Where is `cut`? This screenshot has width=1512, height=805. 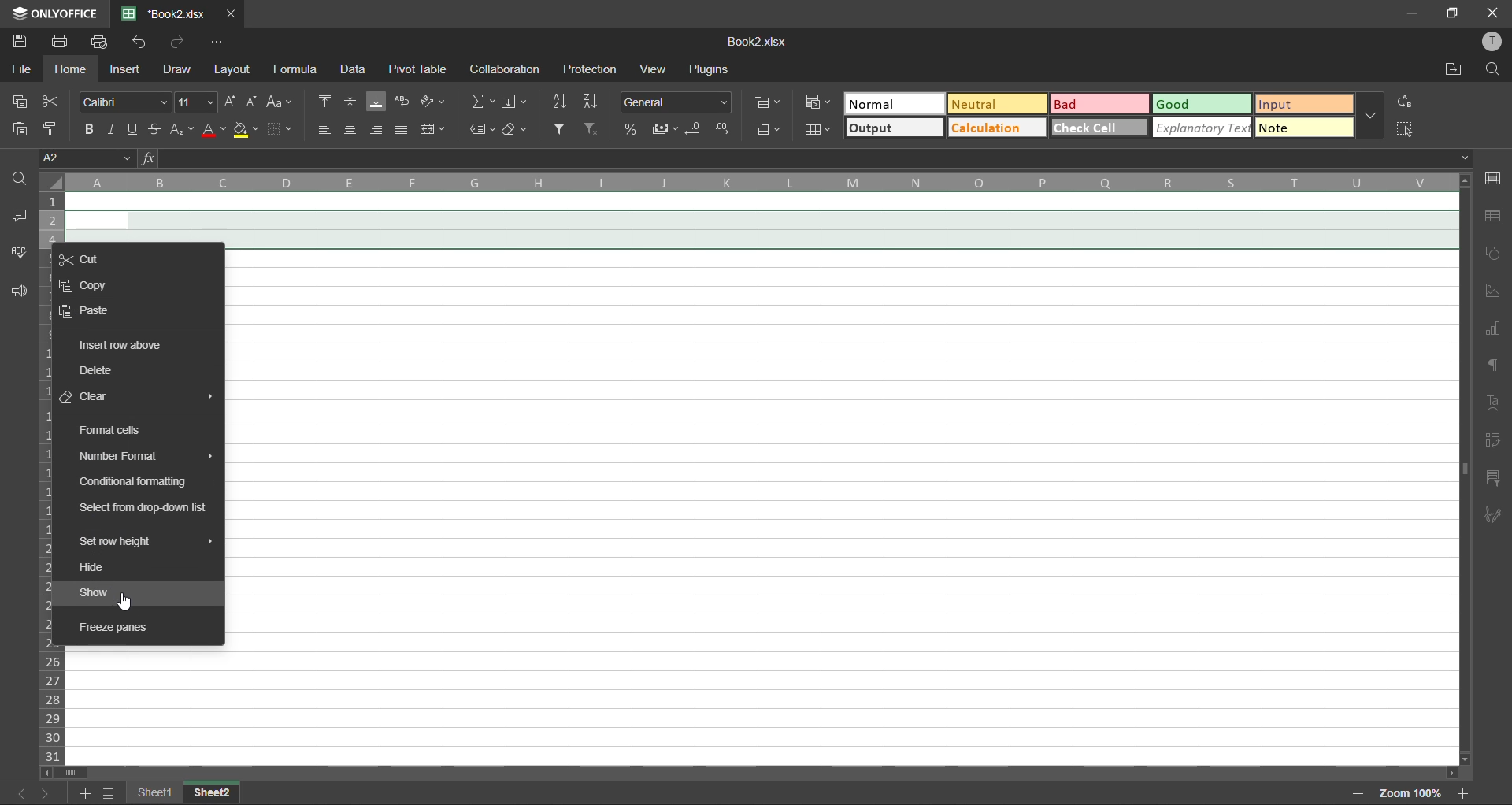 cut is located at coordinates (52, 103).